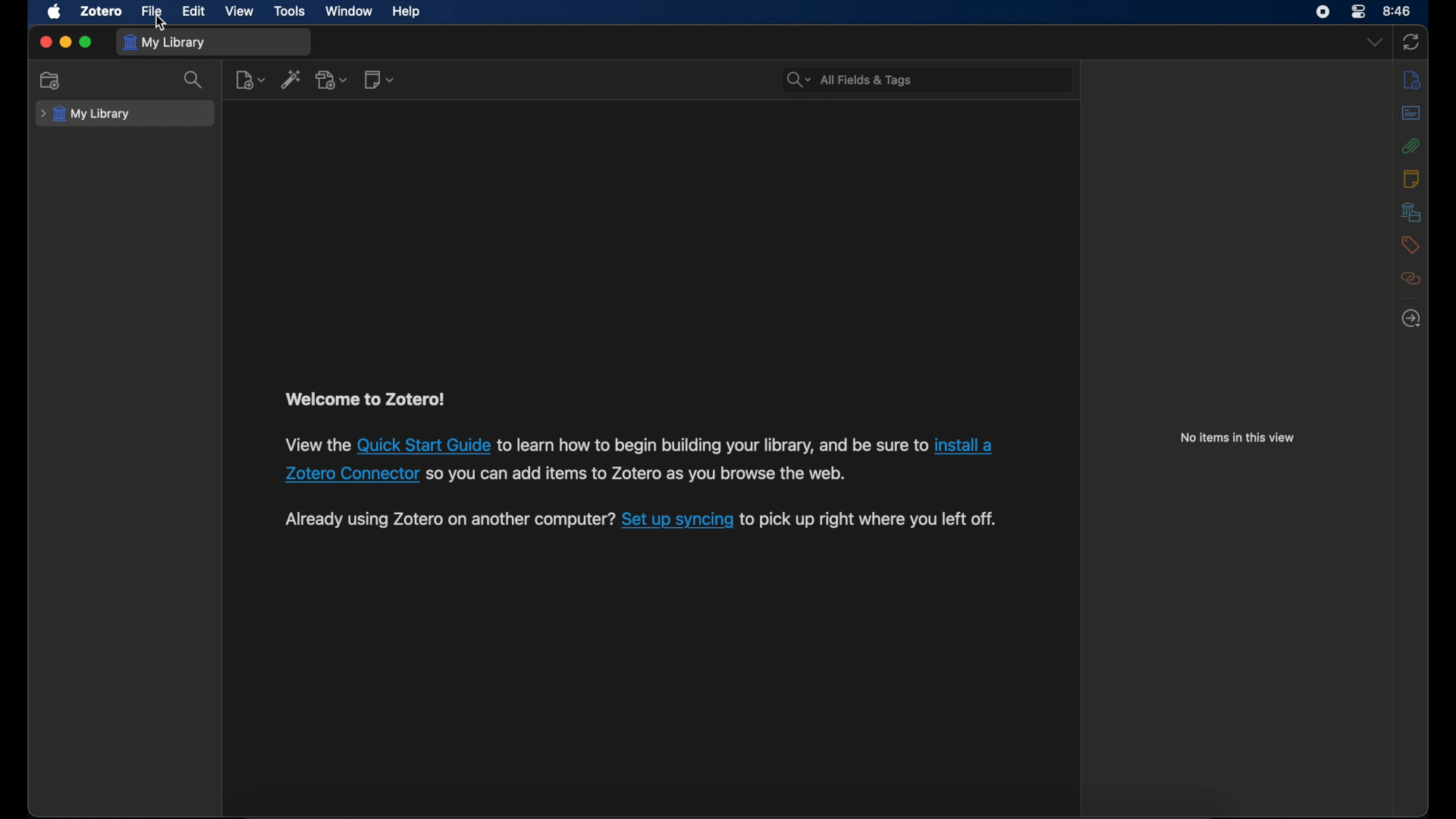  I want to click on no items in this view, so click(1238, 437).